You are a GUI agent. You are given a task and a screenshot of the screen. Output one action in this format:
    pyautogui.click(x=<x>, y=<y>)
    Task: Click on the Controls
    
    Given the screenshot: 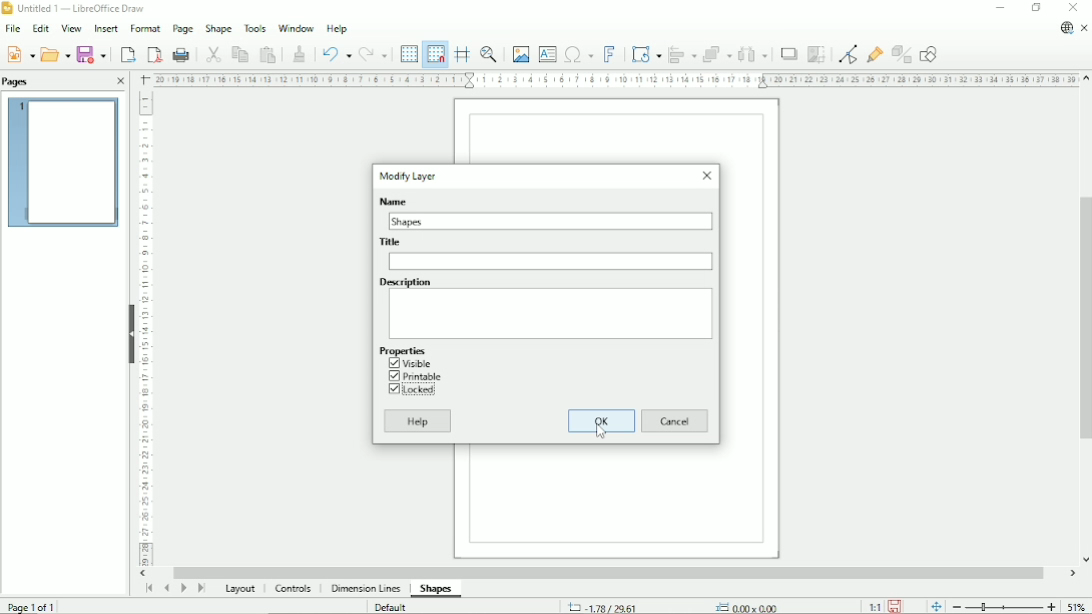 What is the action you would take?
    pyautogui.click(x=296, y=590)
    